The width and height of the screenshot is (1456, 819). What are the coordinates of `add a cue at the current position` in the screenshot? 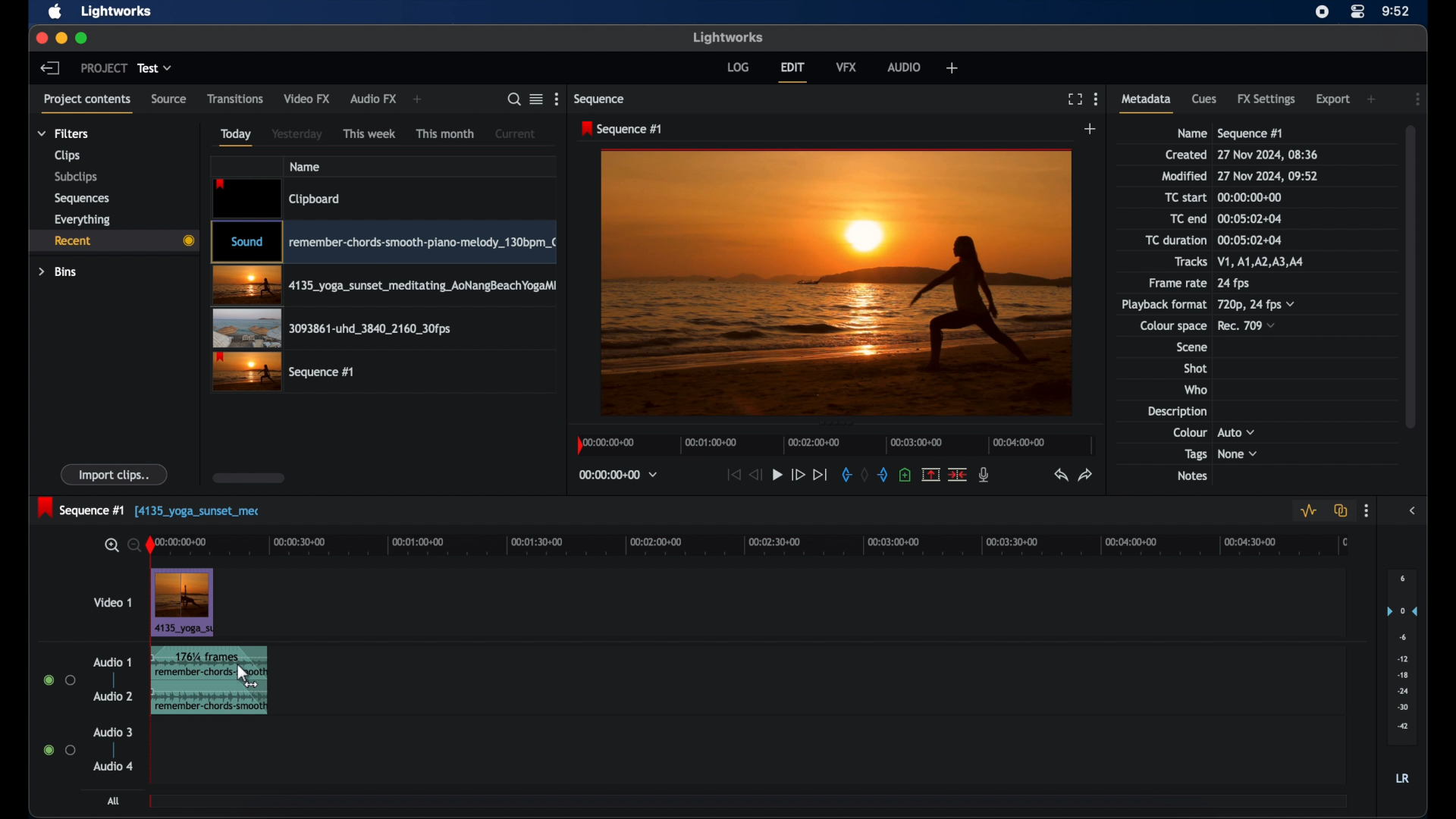 It's located at (905, 475).